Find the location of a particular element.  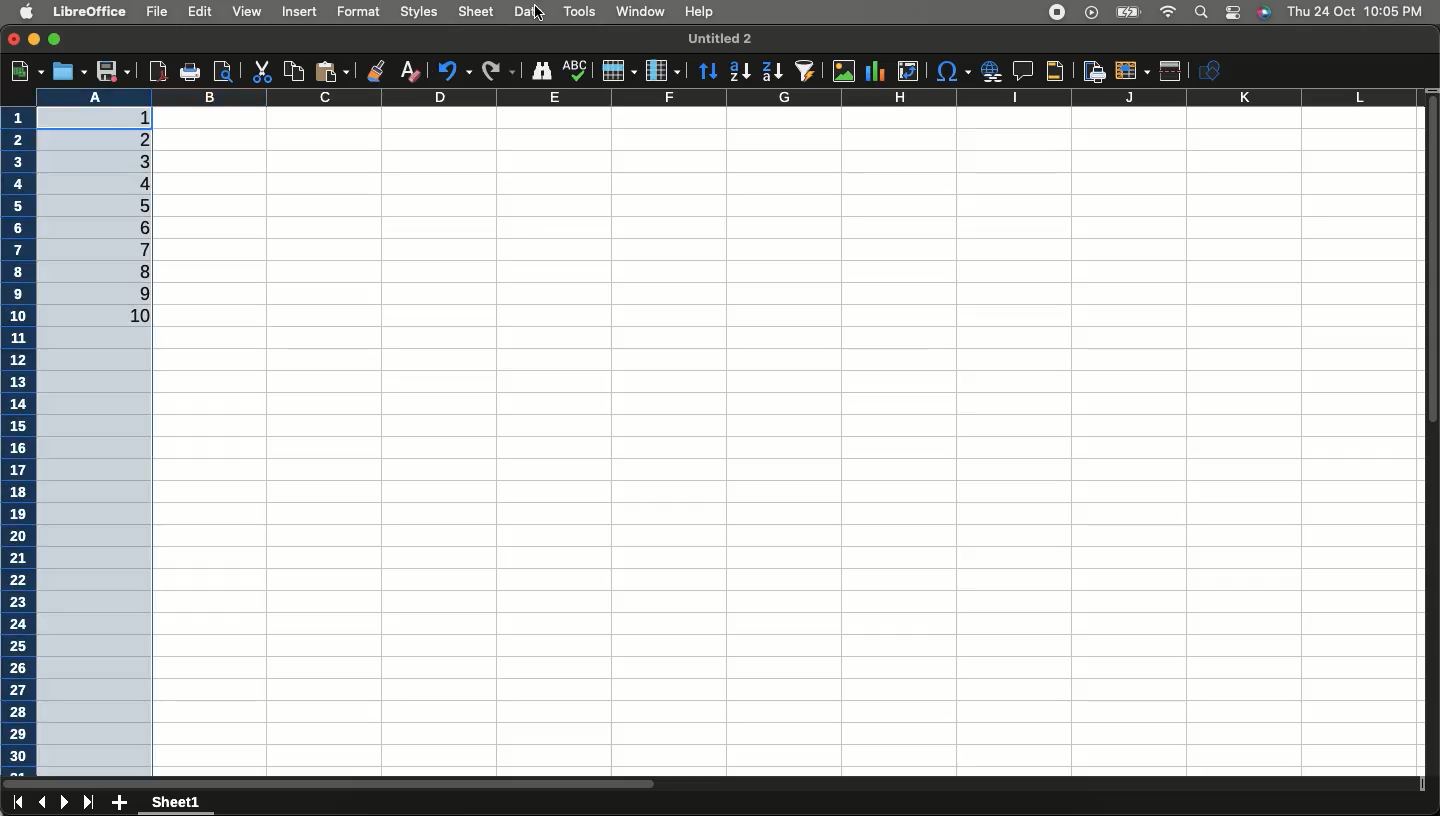

Show draw functions is located at coordinates (1213, 70).